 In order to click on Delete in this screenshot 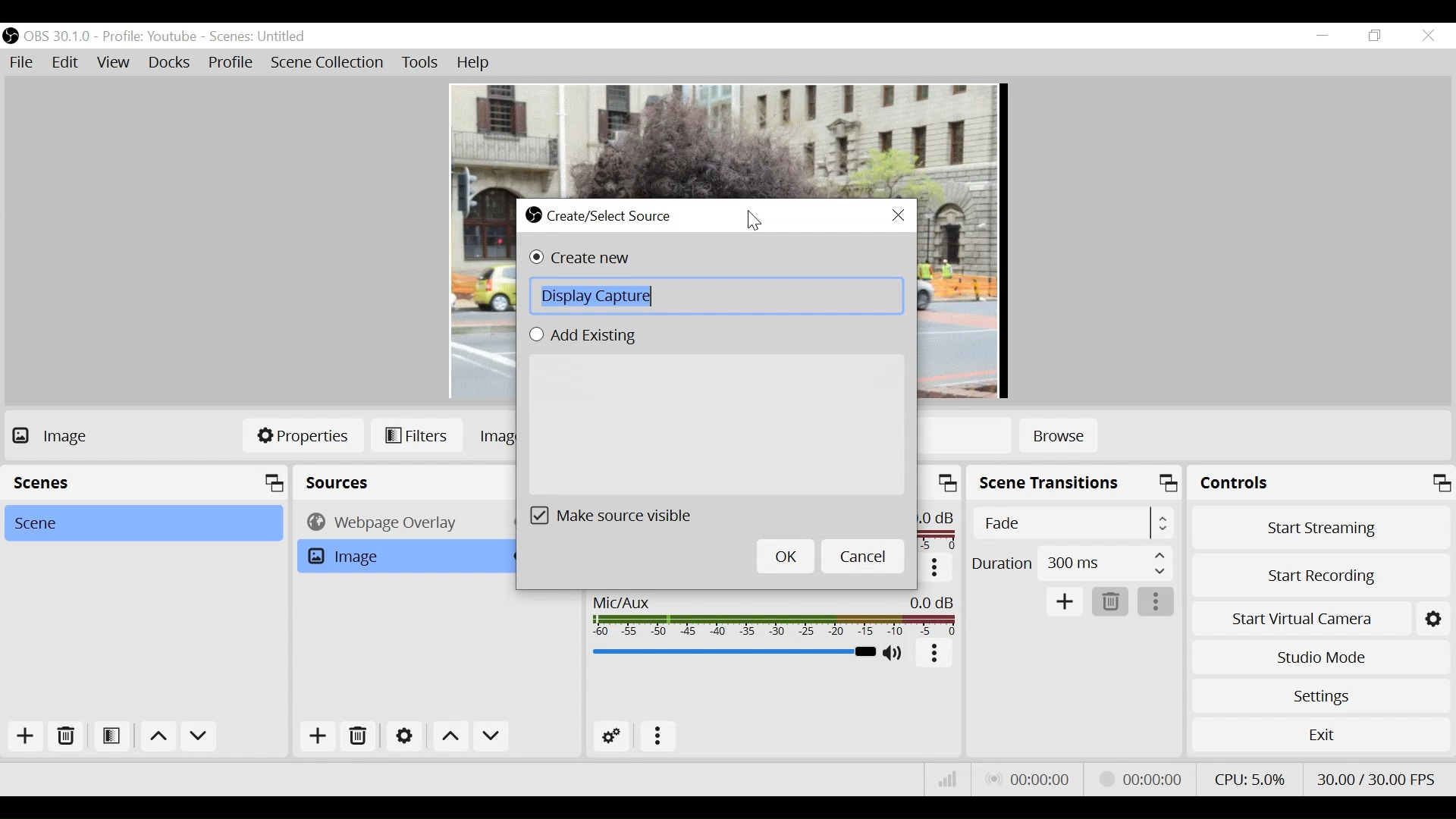, I will do `click(64, 737)`.